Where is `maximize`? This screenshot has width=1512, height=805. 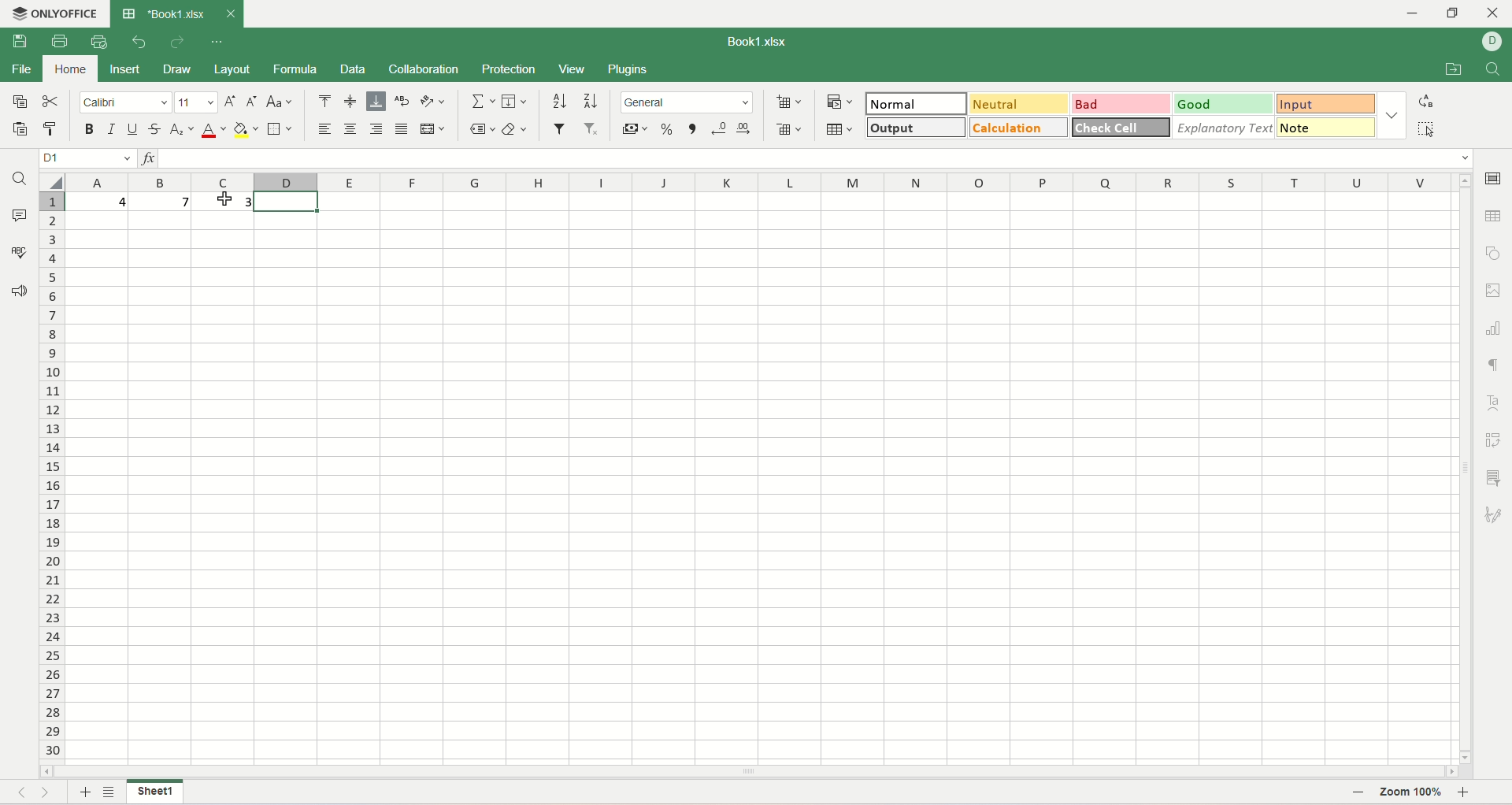 maximize is located at coordinates (1453, 13).